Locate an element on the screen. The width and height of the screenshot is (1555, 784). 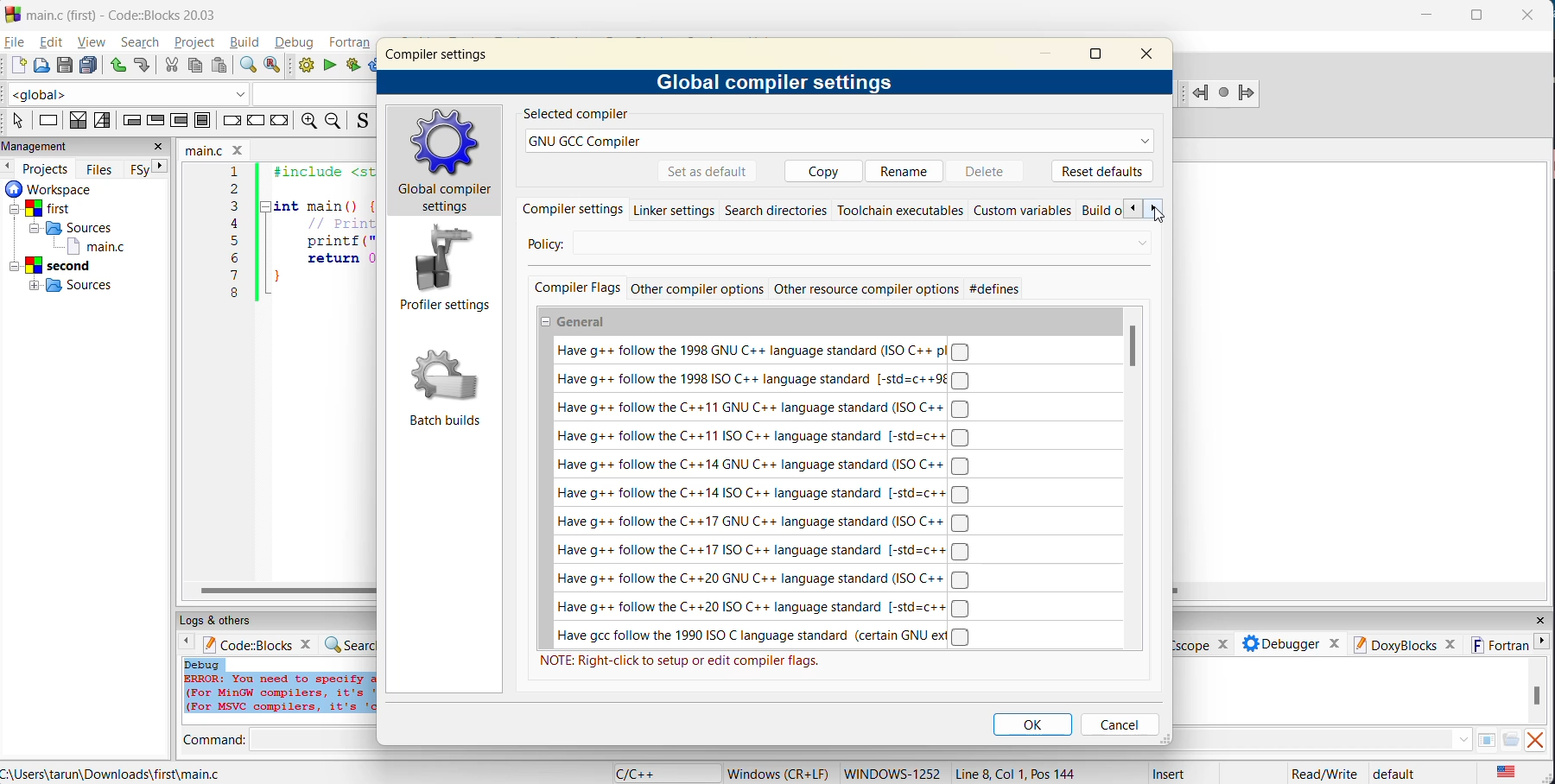
batch builds is located at coordinates (446, 387).